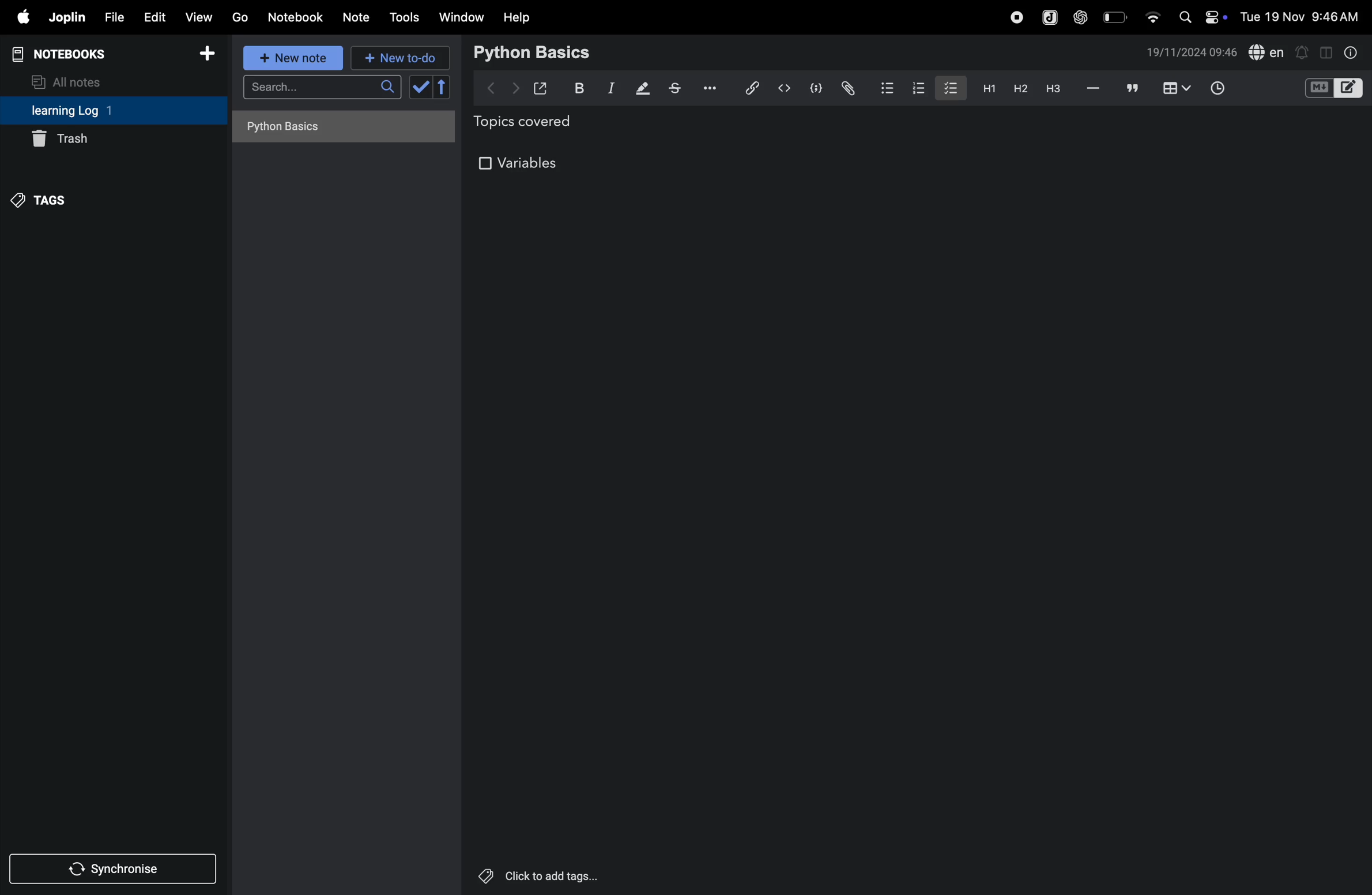  What do you see at coordinates (395, 55) in the screenshot?
I see `new to do` at bounding box center [395, 55].